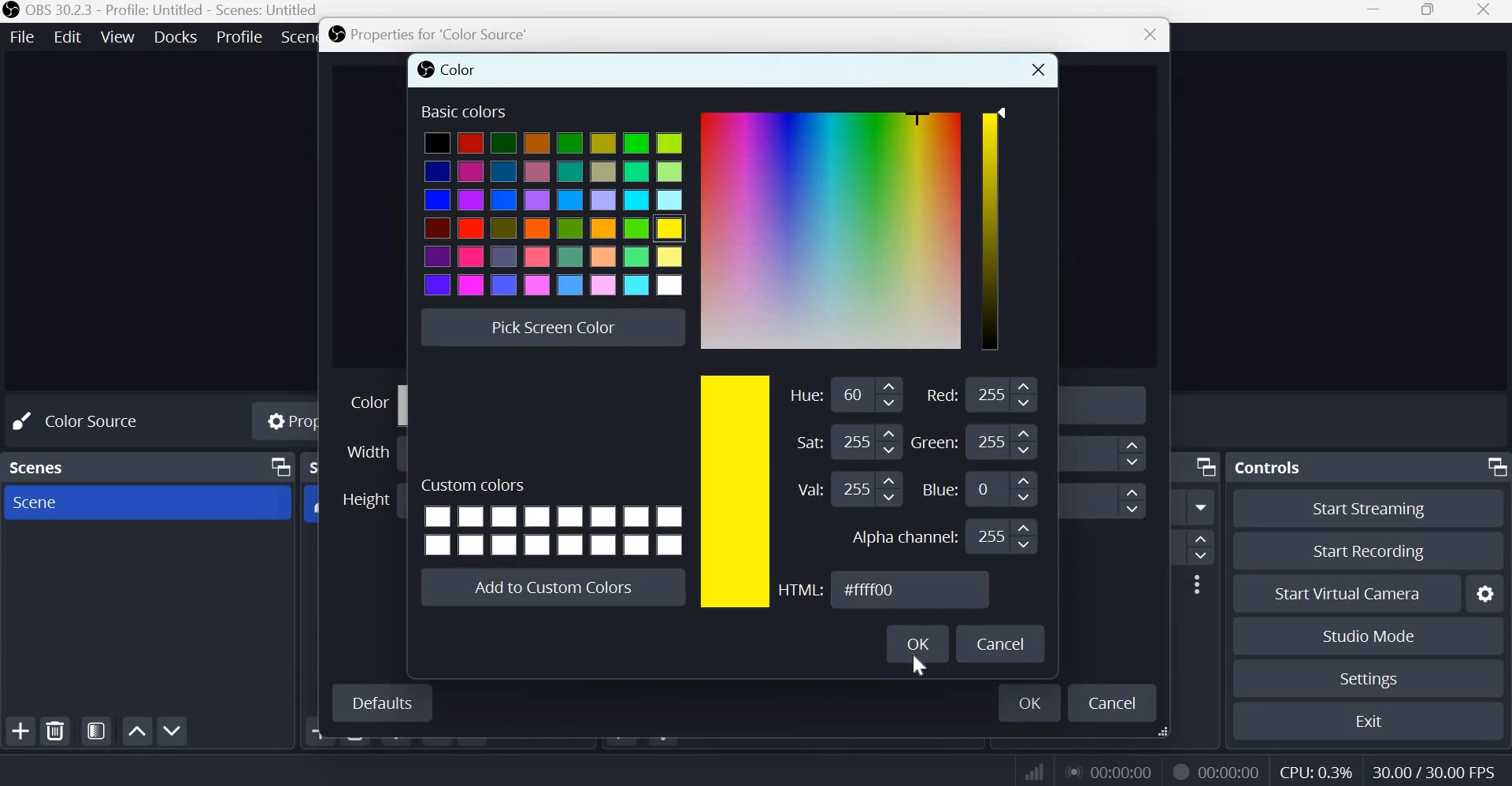 This screenshot has width=1512, height=786. I want to click on OBS studio logo, so click(11, 11).